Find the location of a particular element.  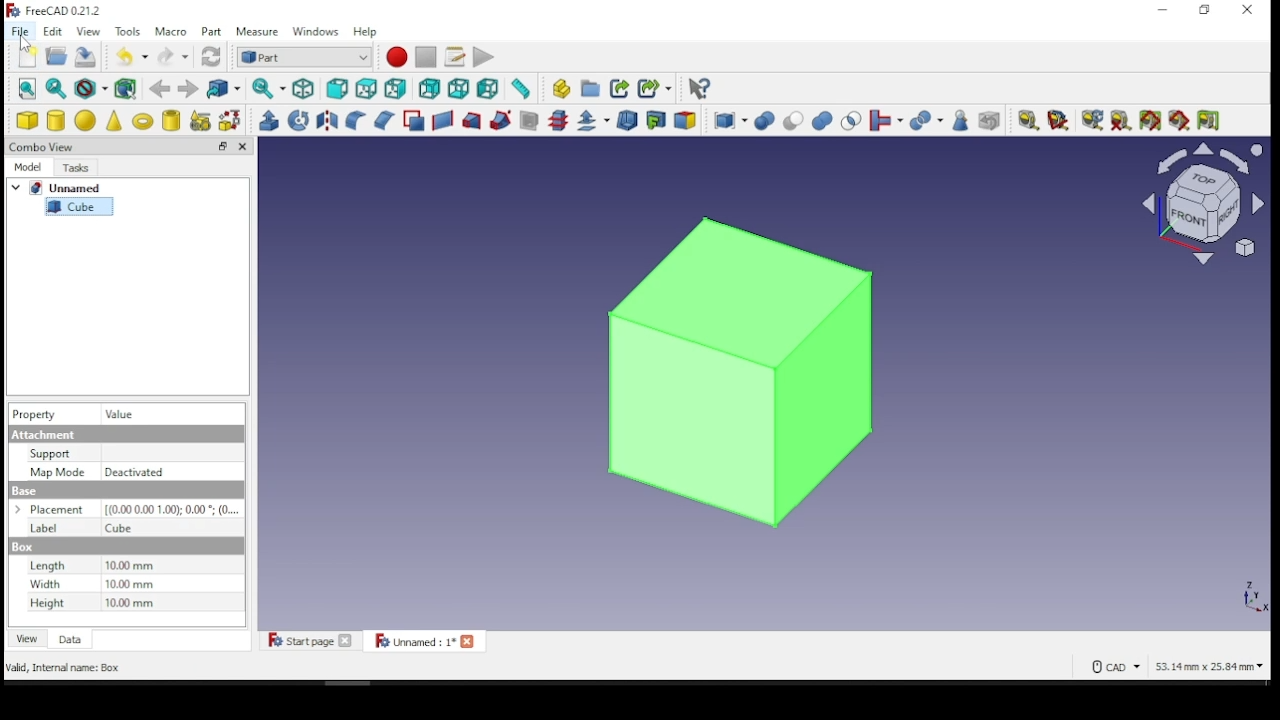

cursor is located at coordinates (25, 44).